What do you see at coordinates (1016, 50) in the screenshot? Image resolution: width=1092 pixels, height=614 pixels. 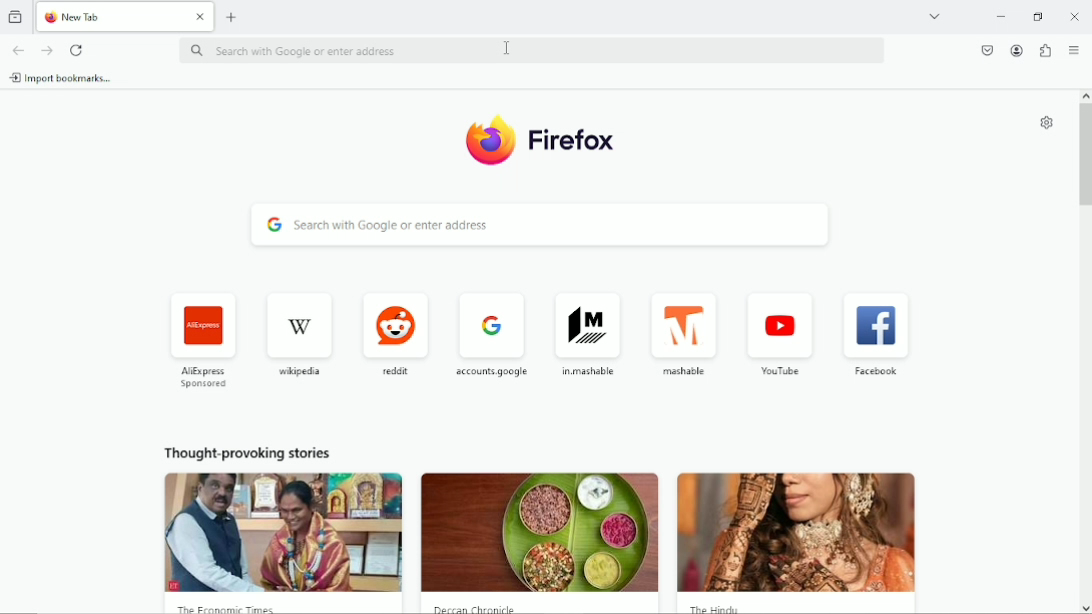 I see `account` at bounding box center [1016, 50].